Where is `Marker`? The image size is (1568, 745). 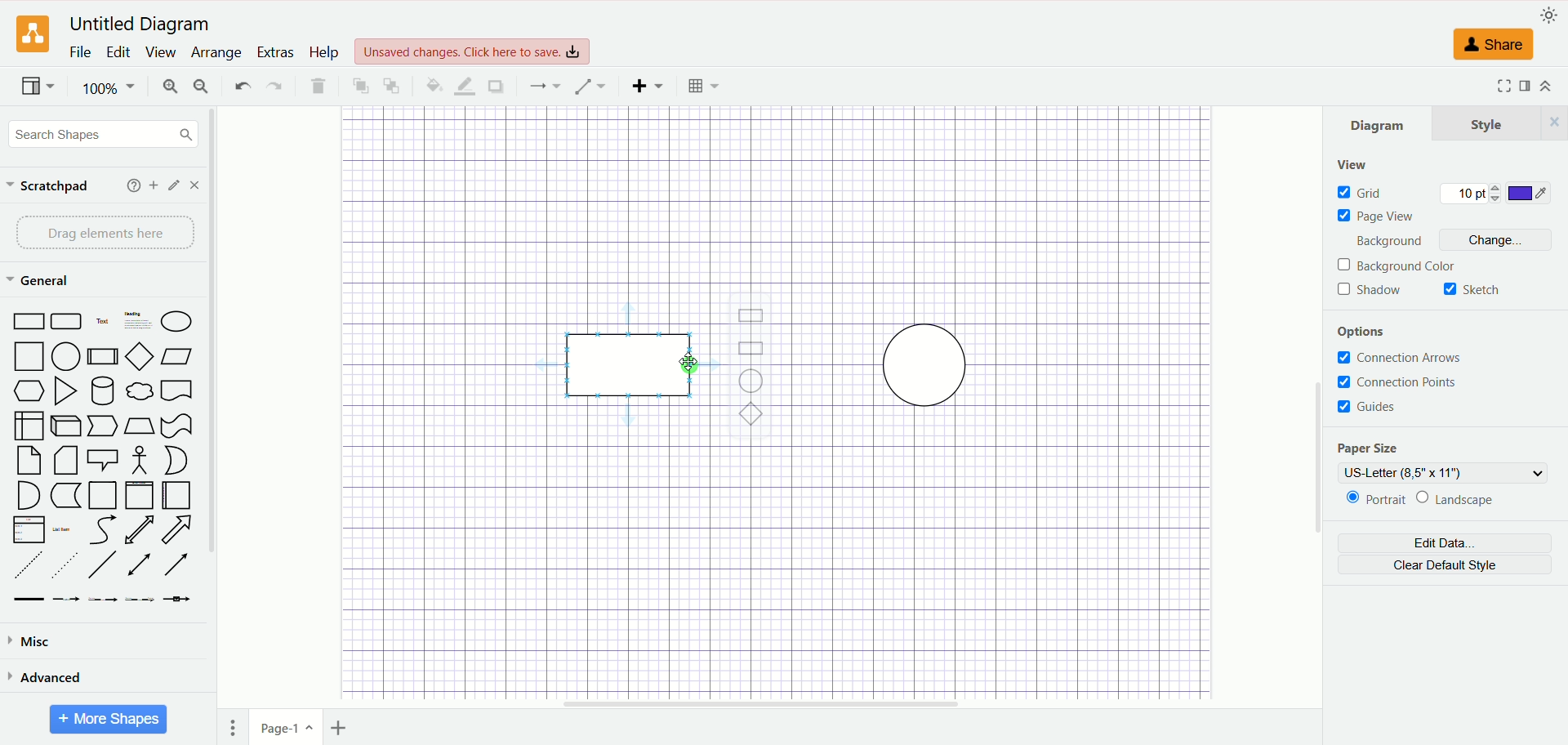 Marker is located at coordinates (65, 497).